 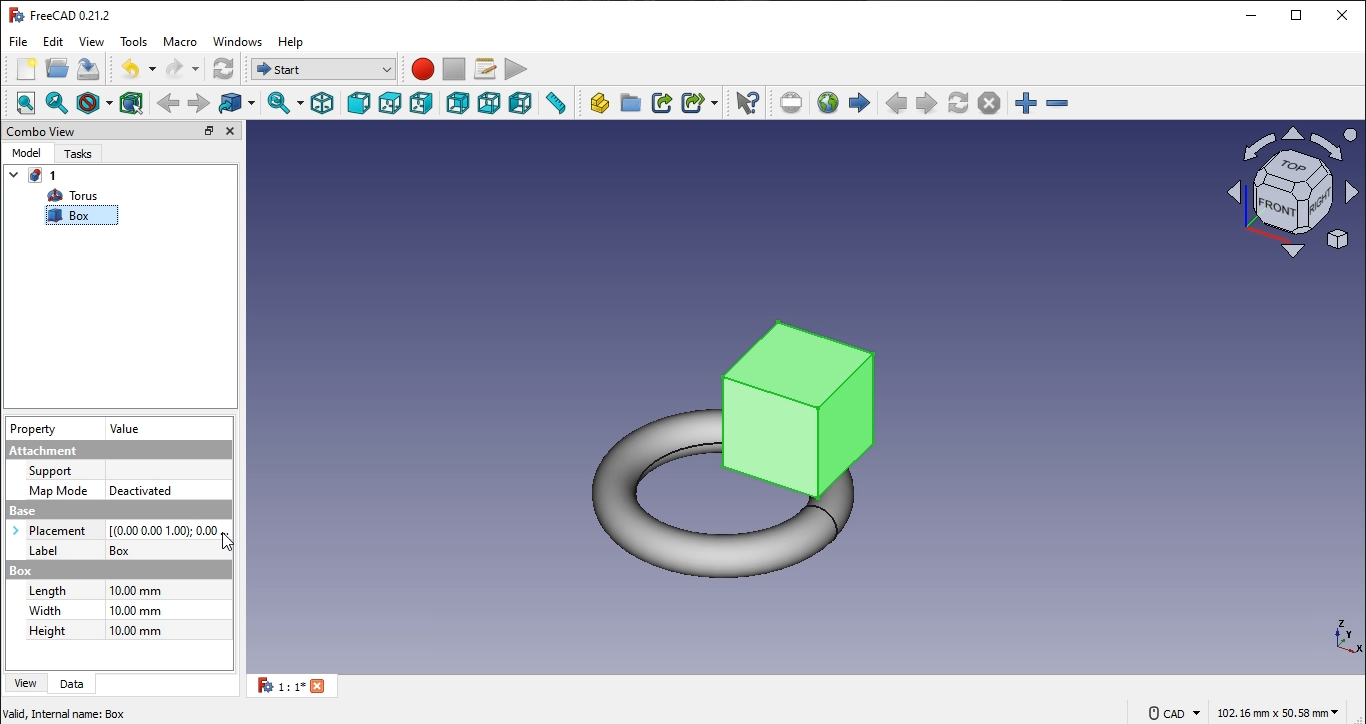 What do you see at coordinates (131, 102) in the screenshot?
I see `bounding box` at bounding box center [131, 102].